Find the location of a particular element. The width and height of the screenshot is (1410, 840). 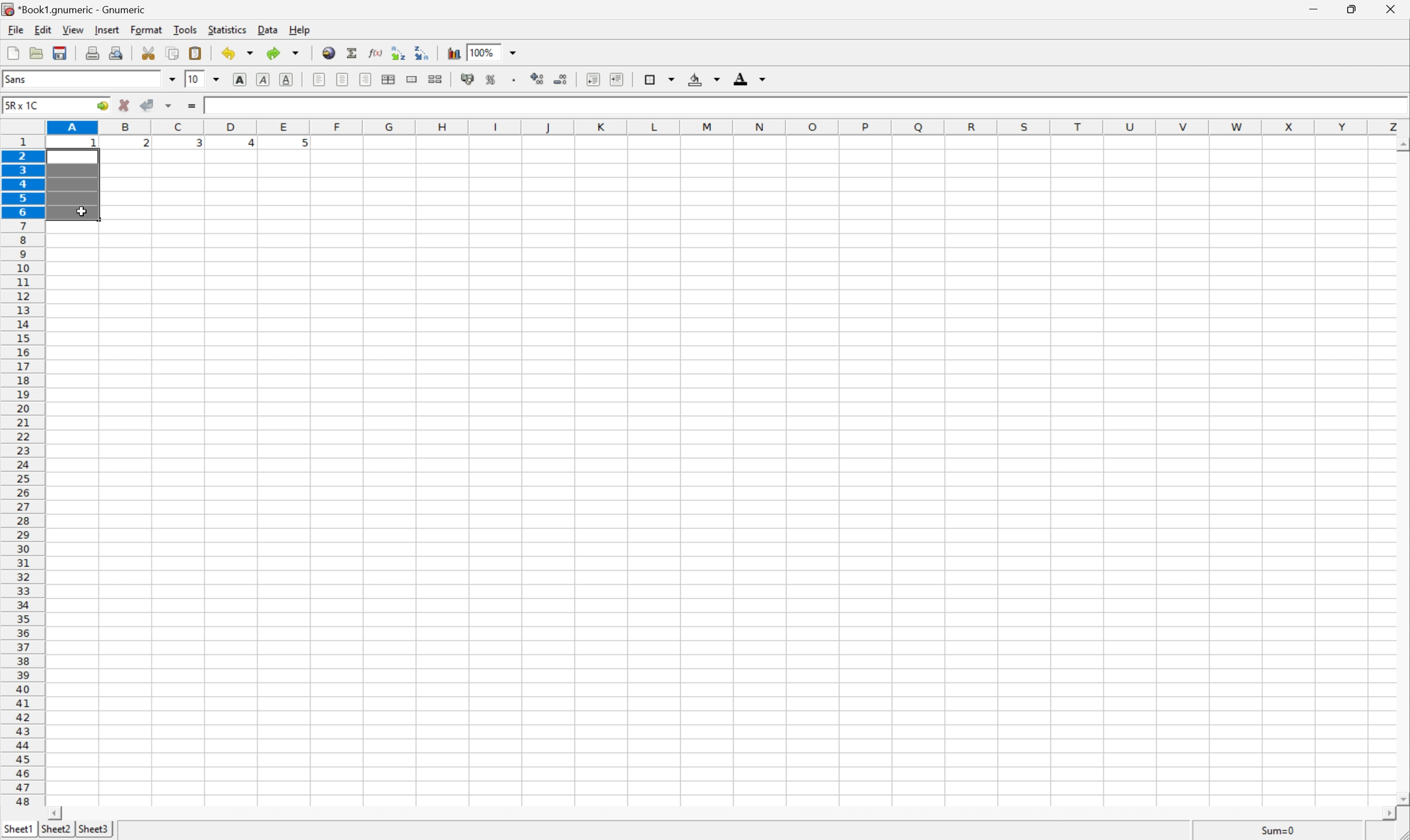

help is located at coordinates (297, 29).